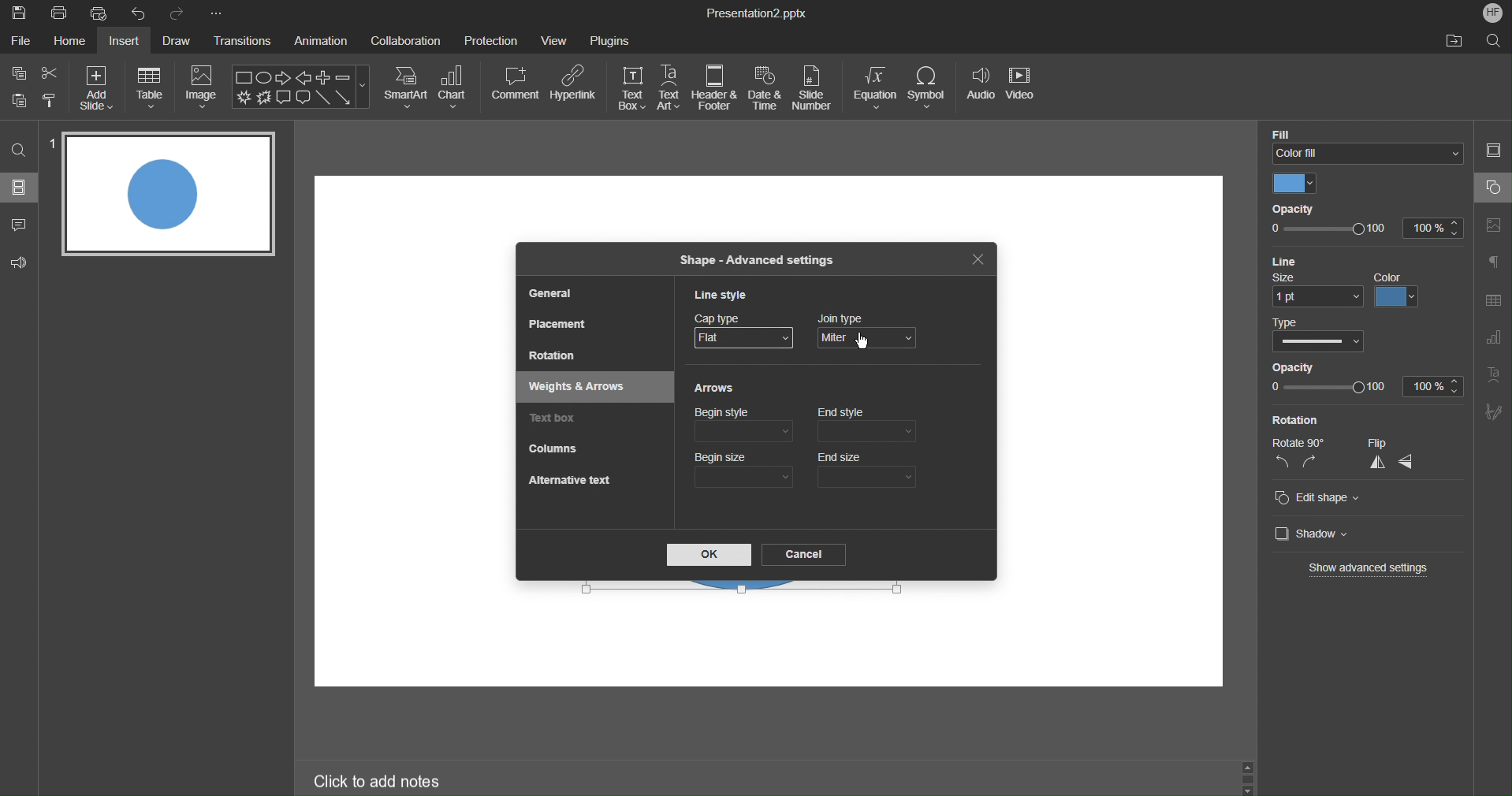 This screenshot has height=796, width=1512. I want to click on Home, so click(68, 42).